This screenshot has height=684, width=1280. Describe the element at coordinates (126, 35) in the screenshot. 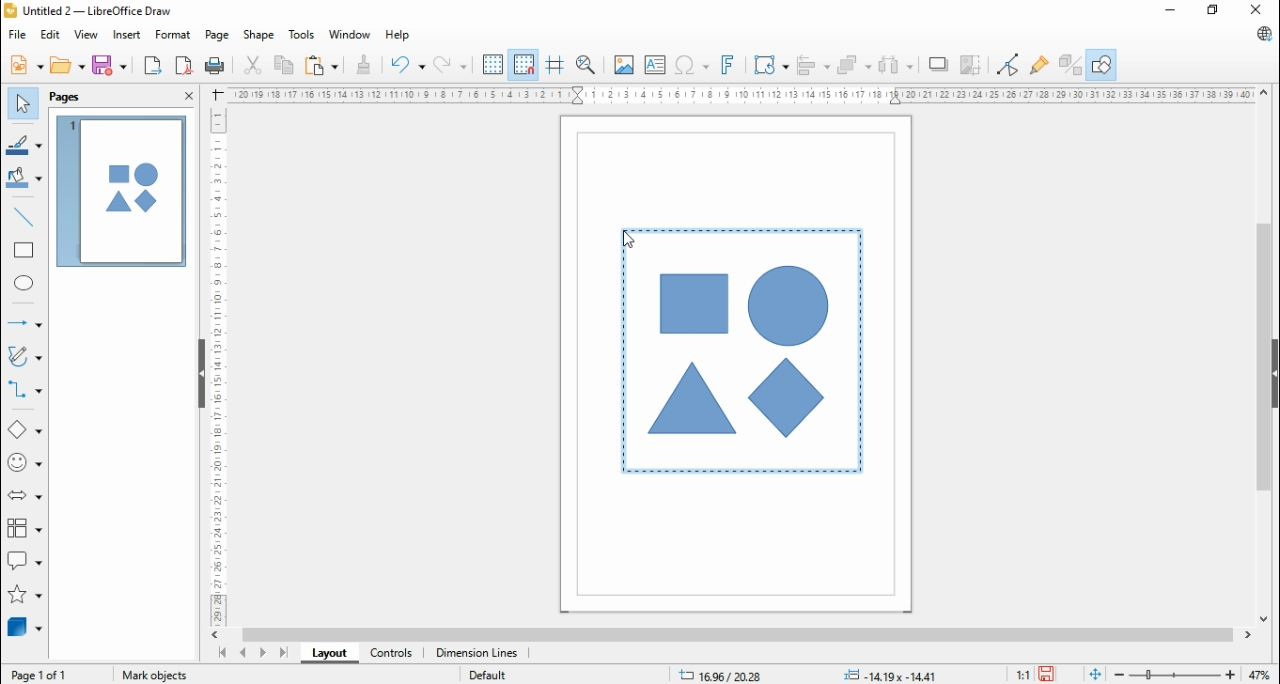

I see `insert` at that location.